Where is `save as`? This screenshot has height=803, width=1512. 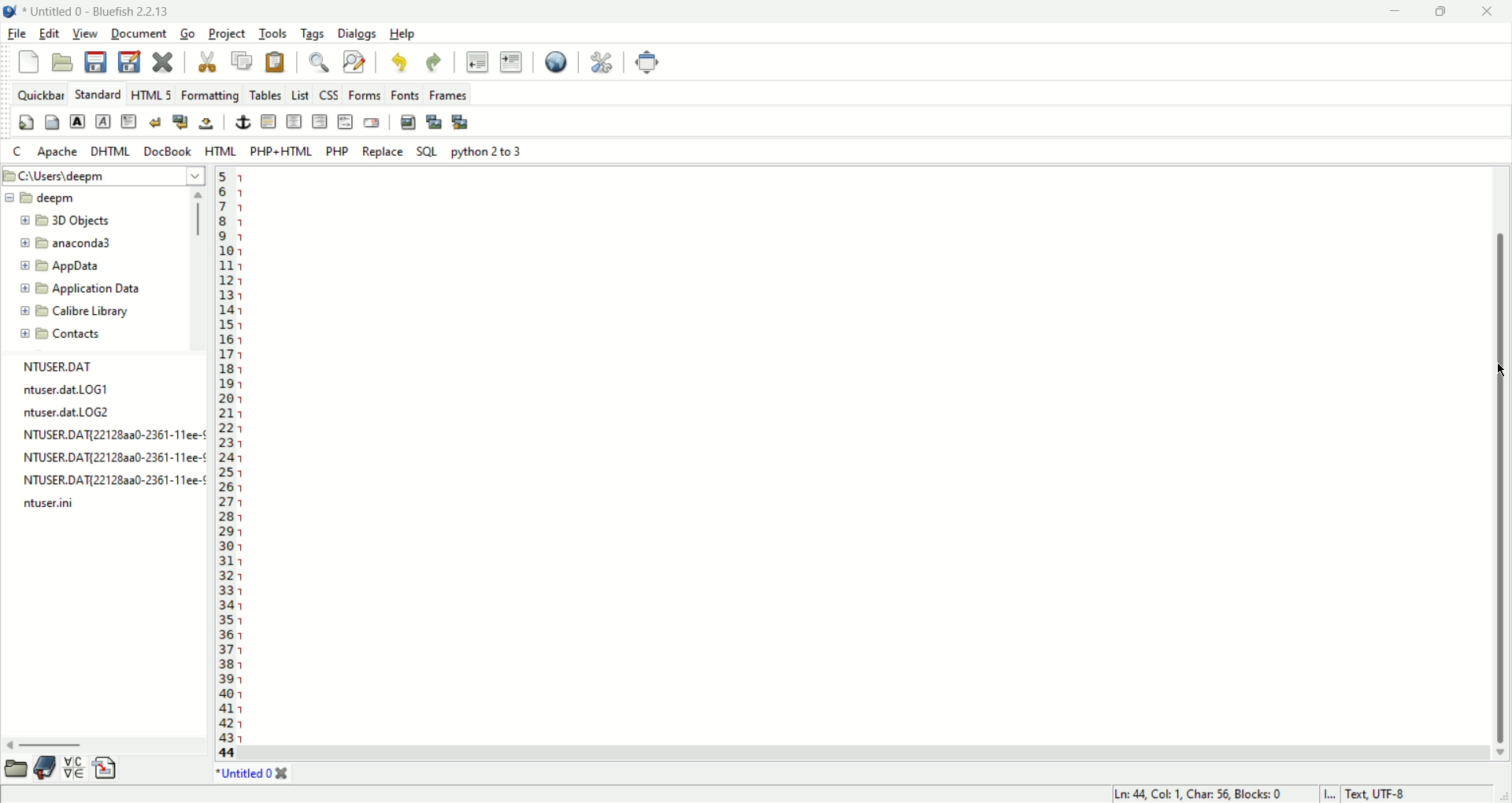 save as is located at coordinates (128, 61).